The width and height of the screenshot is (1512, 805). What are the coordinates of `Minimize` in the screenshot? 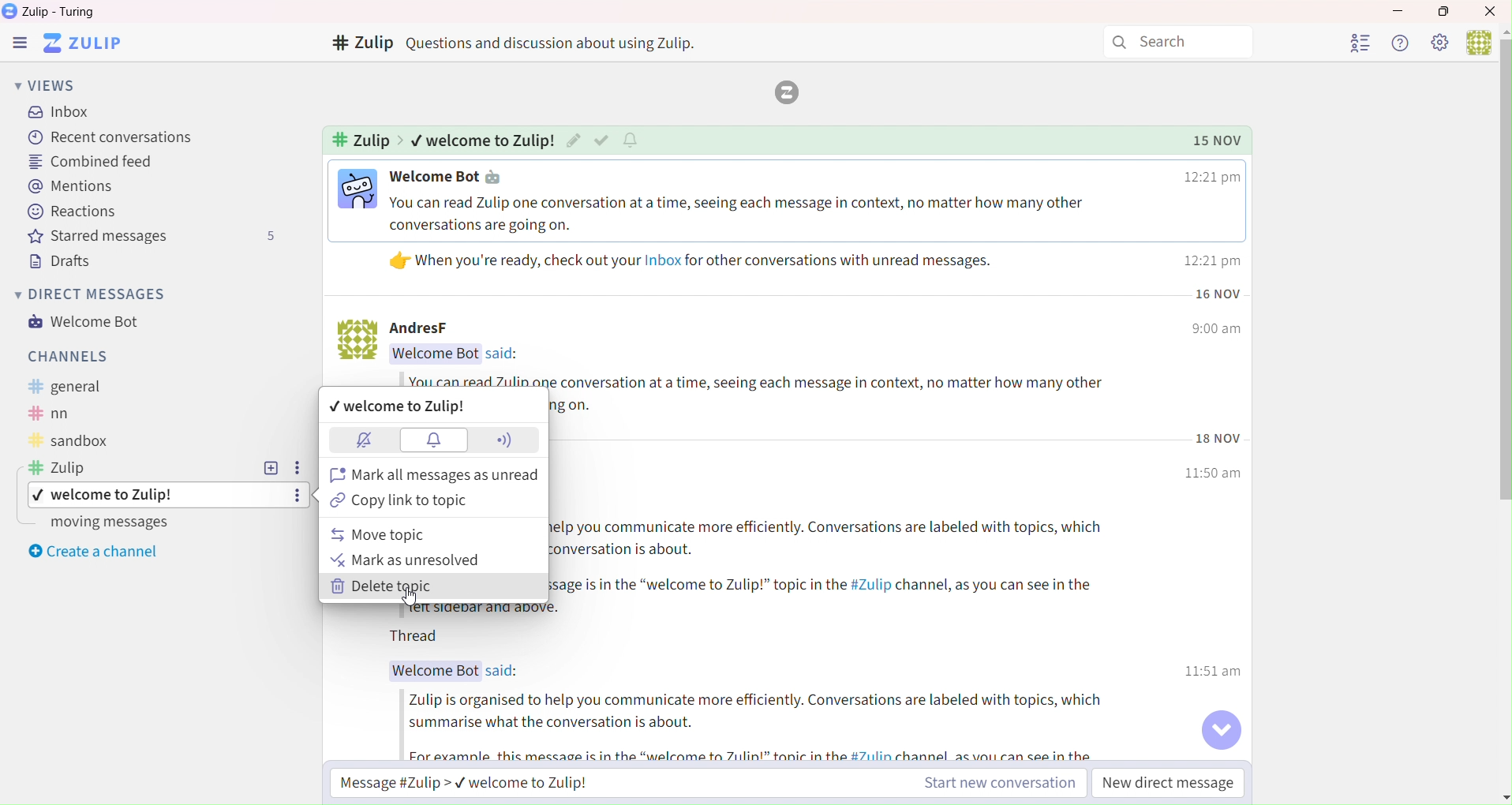 It's located at (1397, 13).